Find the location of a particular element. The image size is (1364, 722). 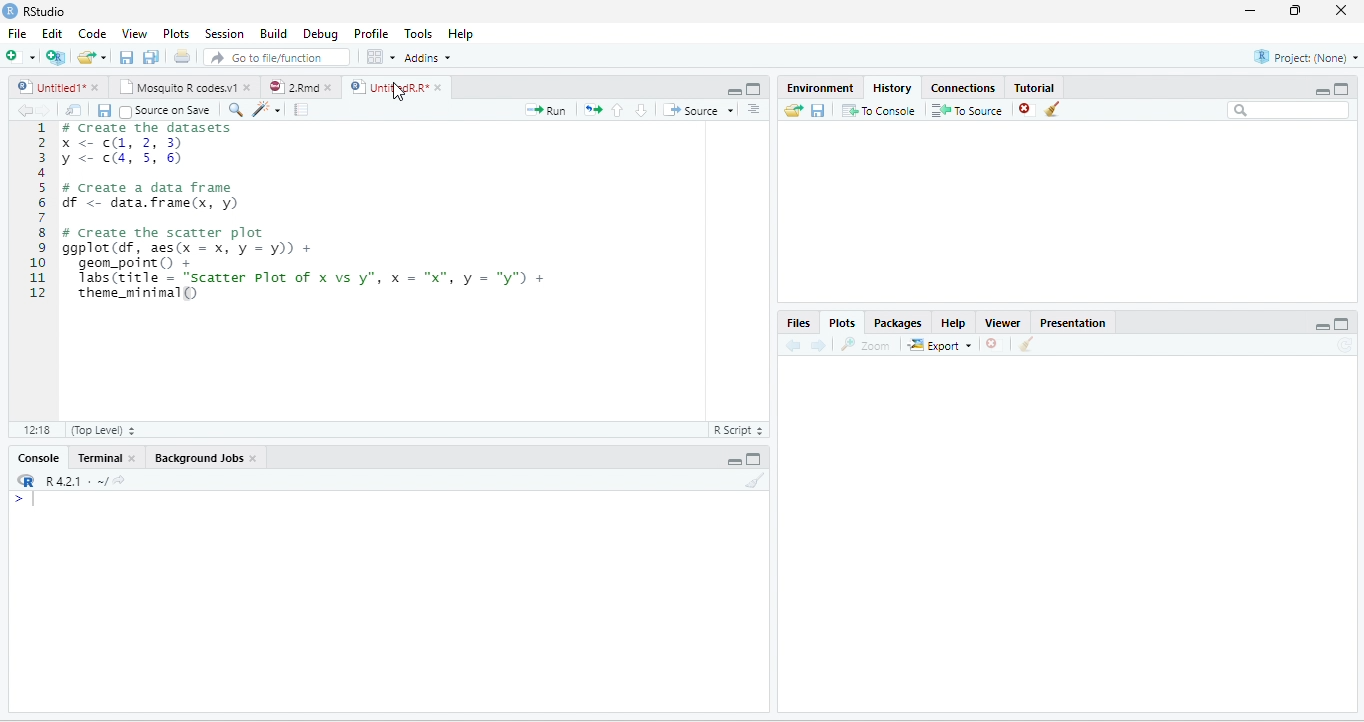

Project: (None) is located at coordinates (1305, 57).